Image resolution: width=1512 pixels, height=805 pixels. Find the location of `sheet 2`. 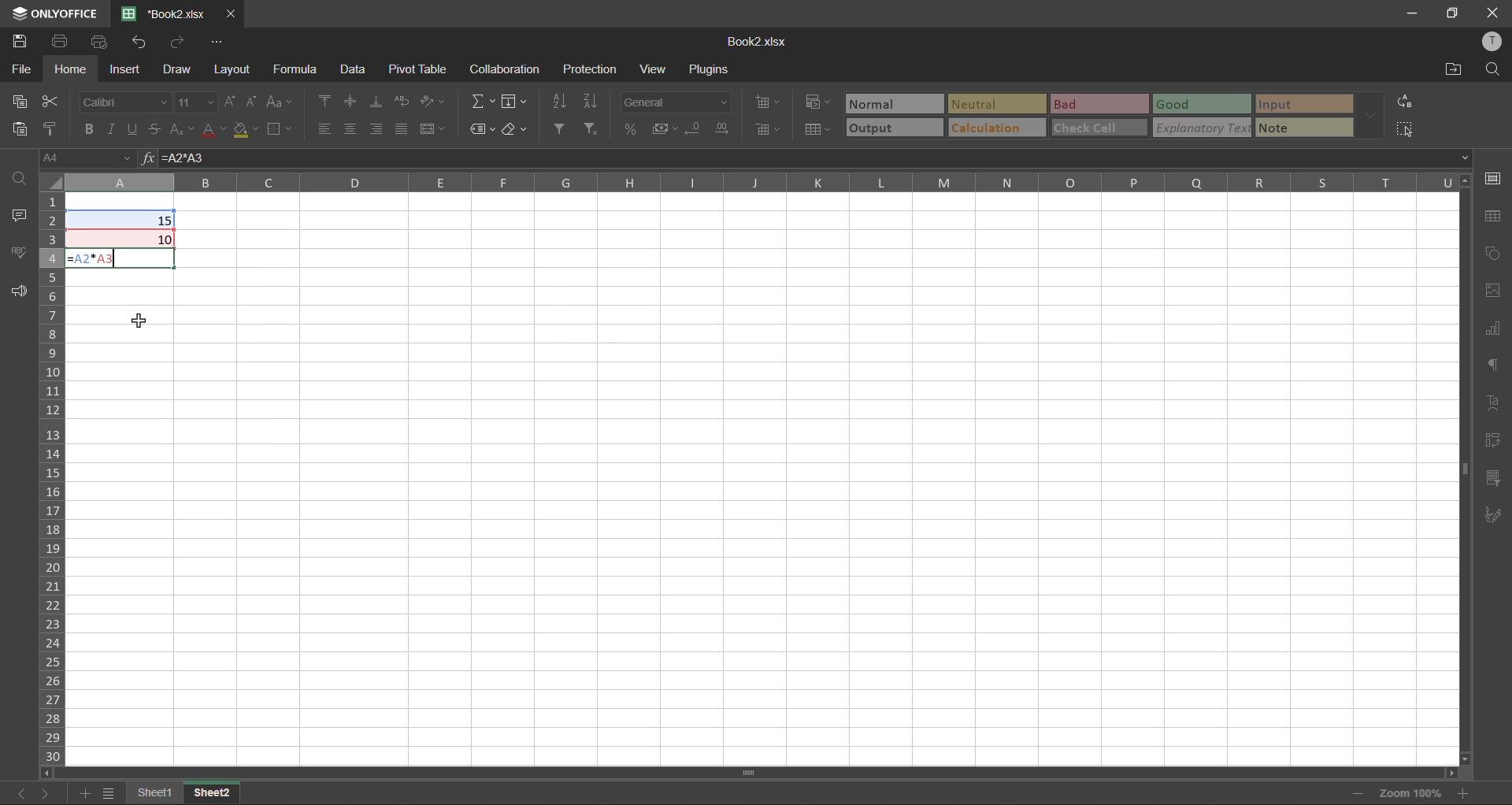

sheet 2 is located at coordinates (213, 792).